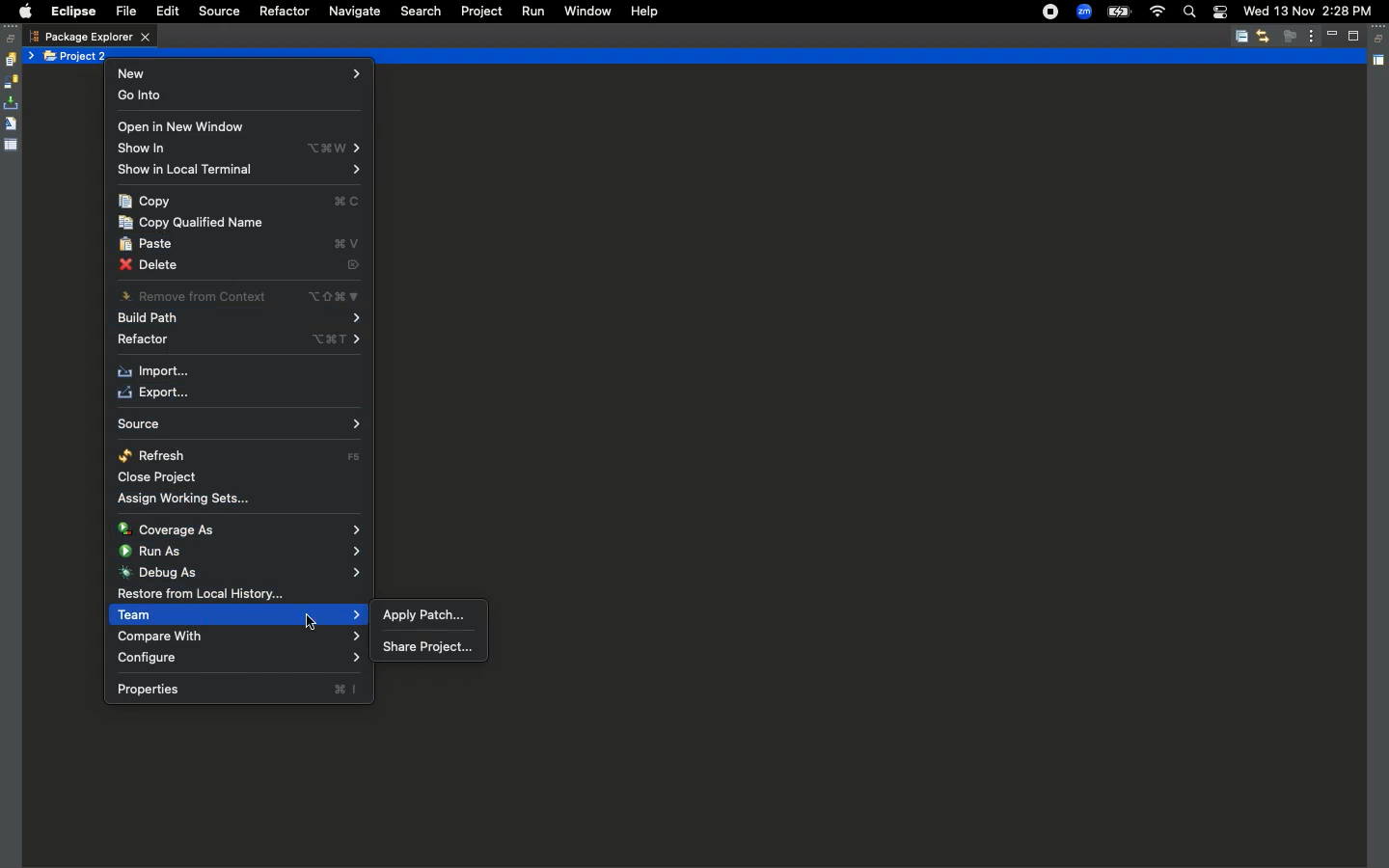 This screenshot has height=868, width=1389. I want to click on Focus on active task, so click(1290, 36).